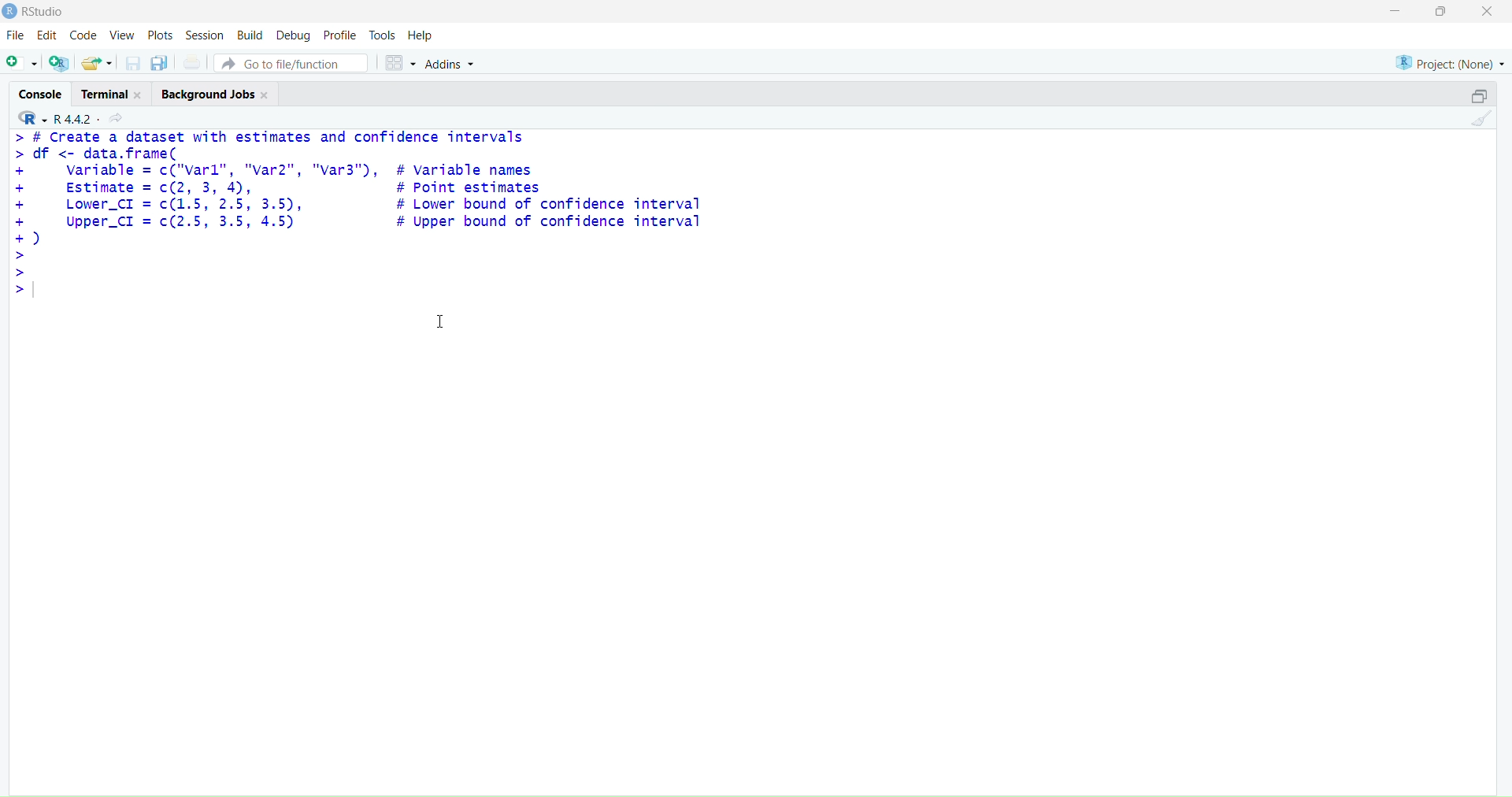 Image resolution: width=1512 pixels, height=797 pixels. What do you see at coordinates (399, 64) in the screenshot?
I see `workspace panes` at bounding box center [399, 64].